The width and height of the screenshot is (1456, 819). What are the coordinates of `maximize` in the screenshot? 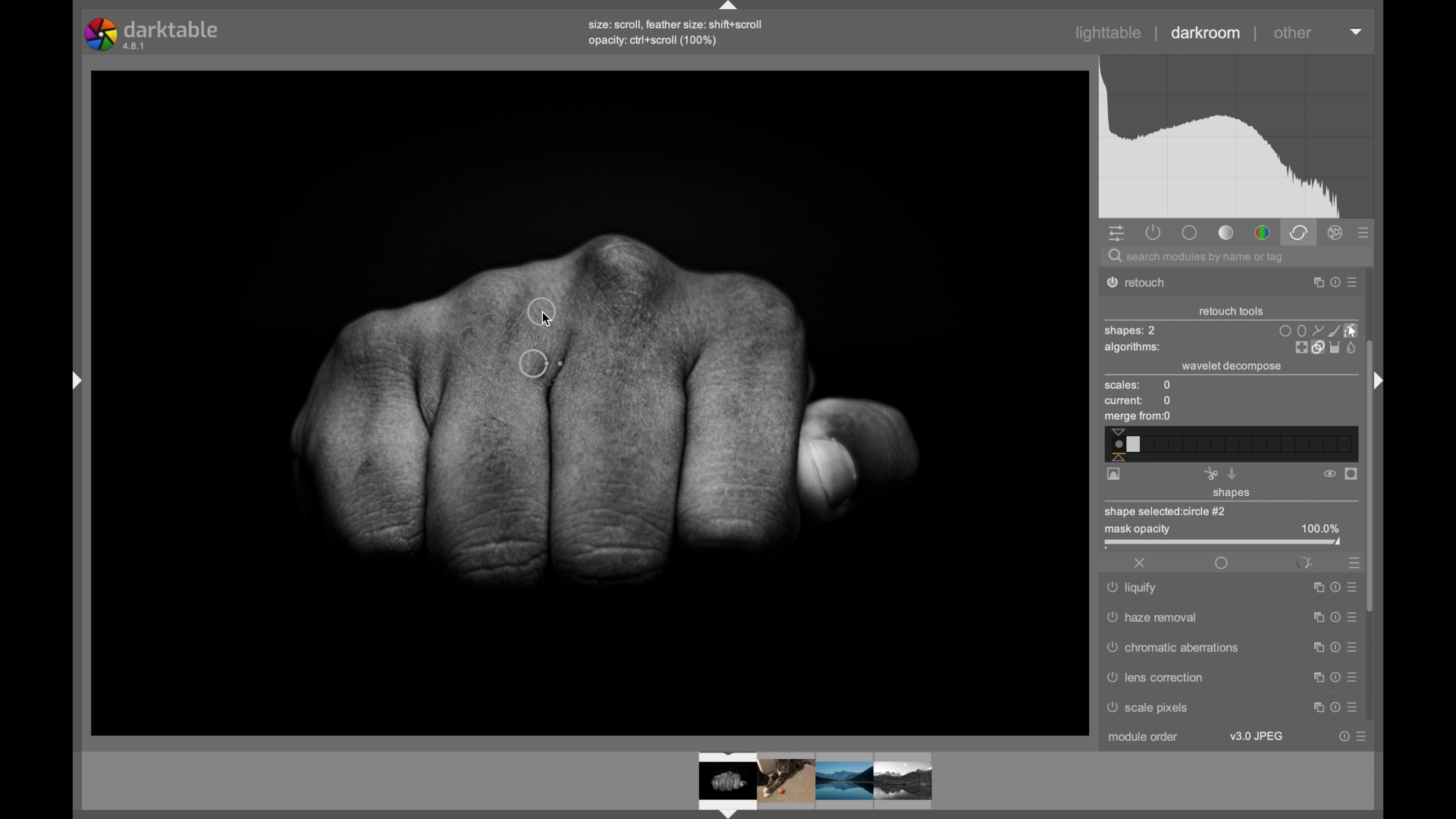 It's located at (1314, 646).